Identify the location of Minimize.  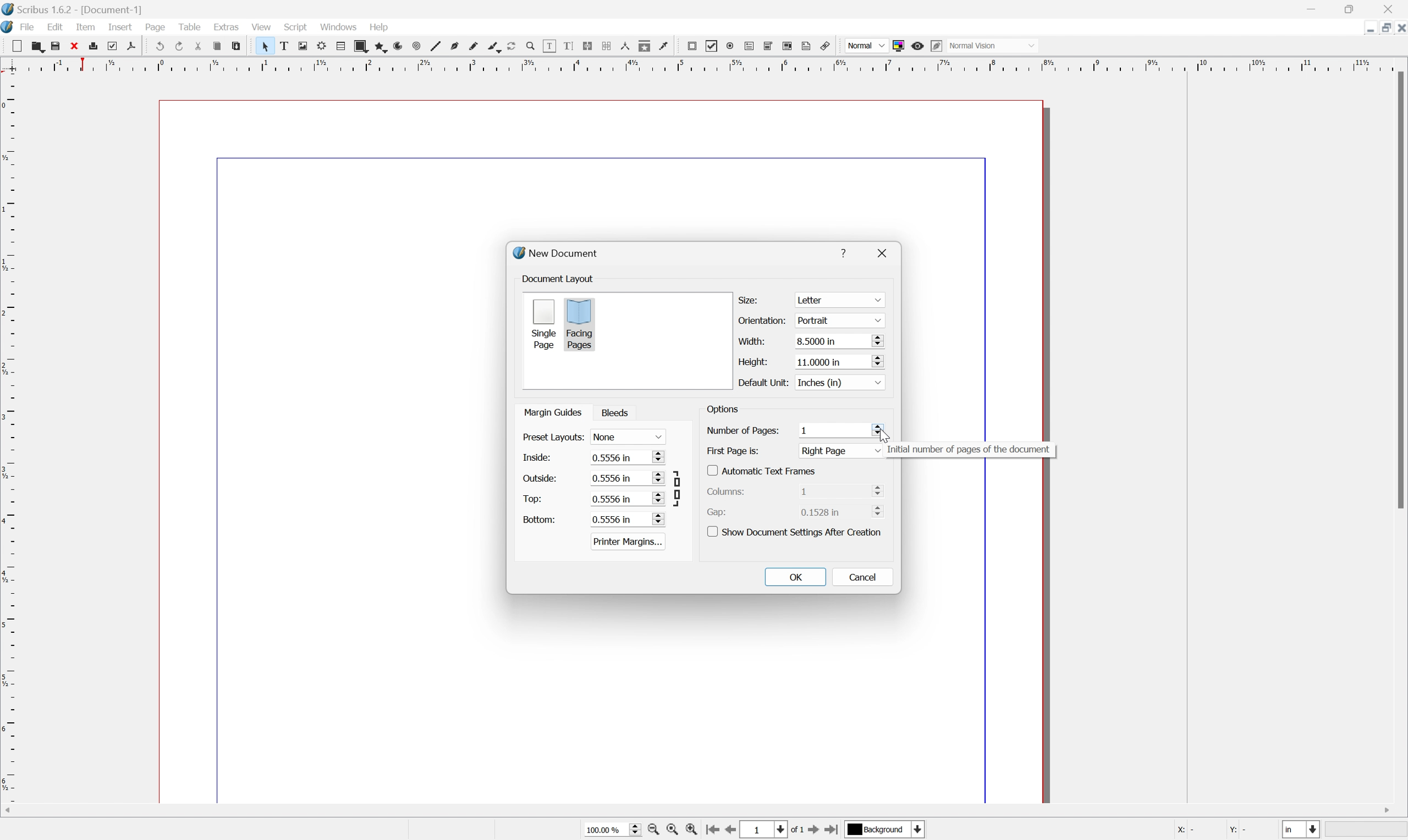
(1315, 8).